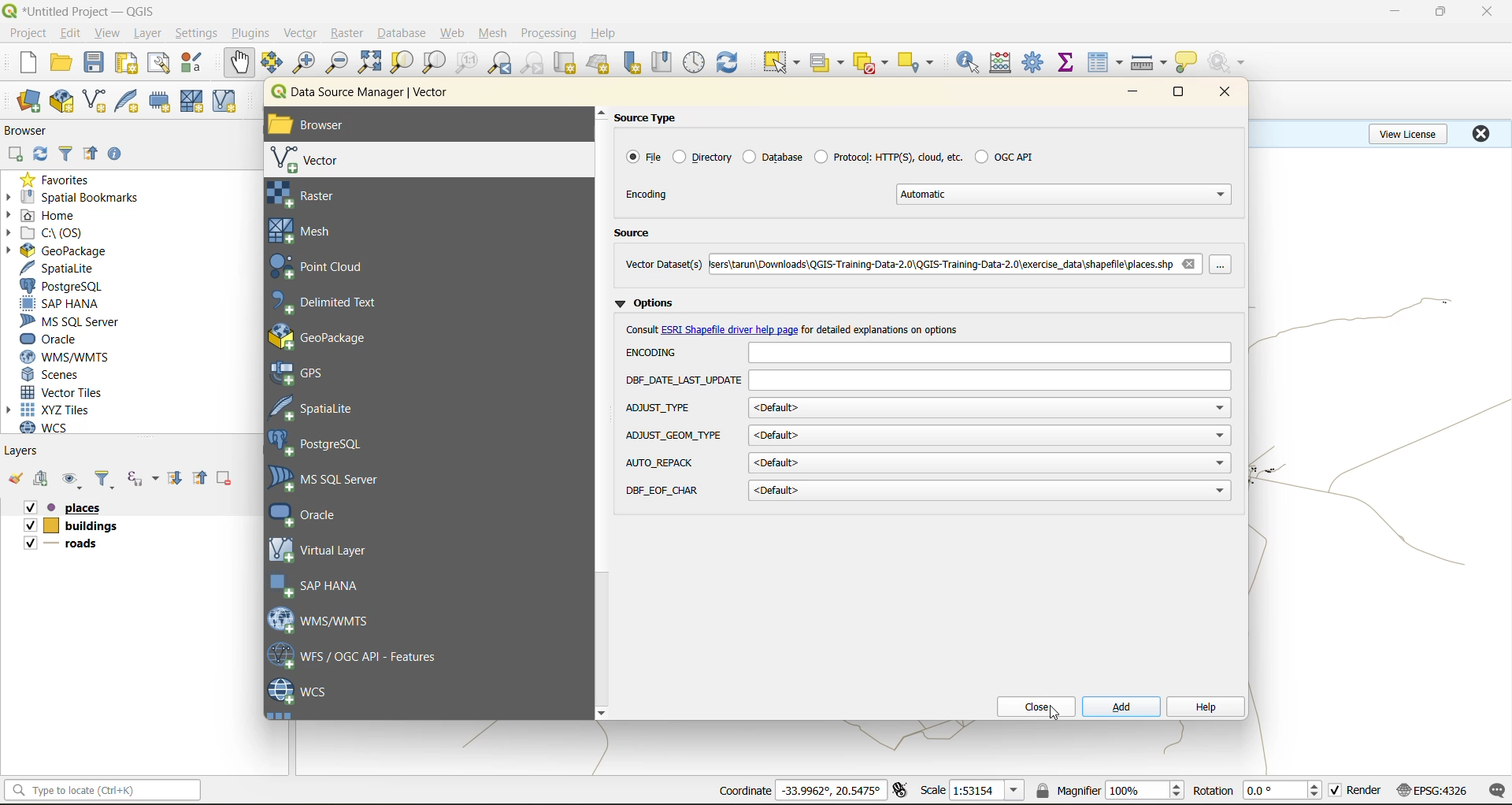  I want to click on layer, so click(145, 34).